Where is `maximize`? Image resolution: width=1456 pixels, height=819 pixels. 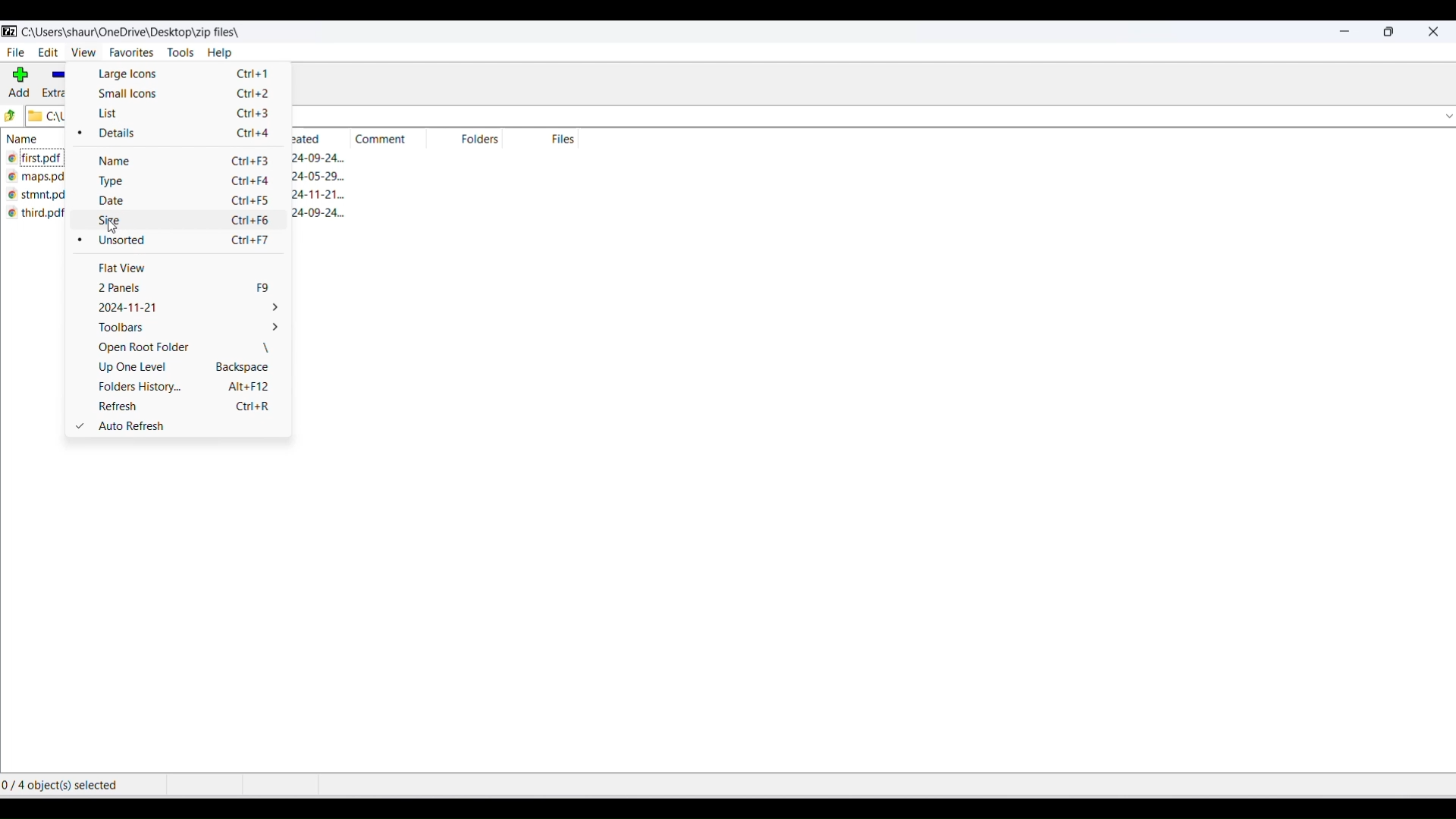
maximize is located at coordinates (1389, 35).